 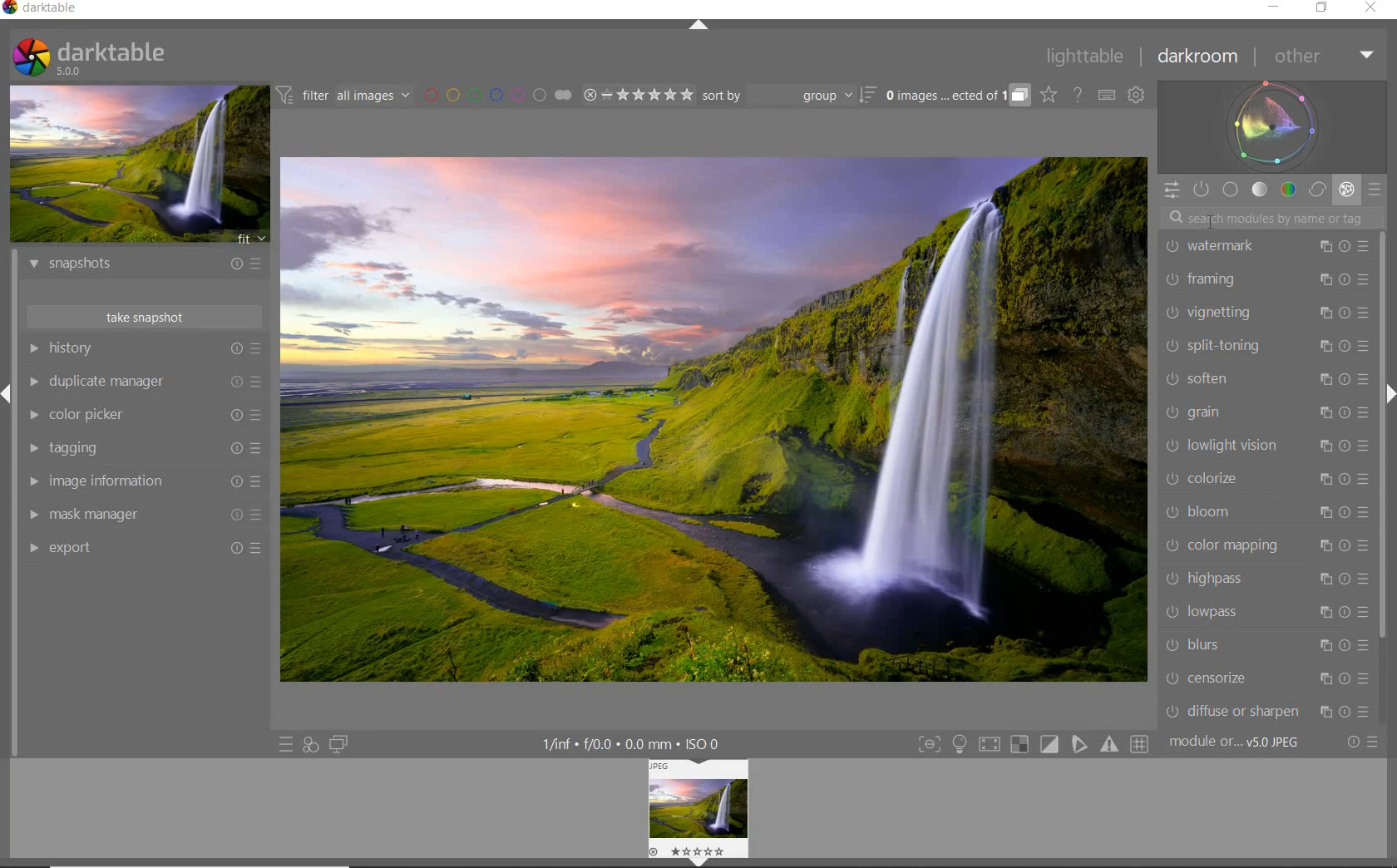 I want to click on tone, so click(x=1260, y=190).